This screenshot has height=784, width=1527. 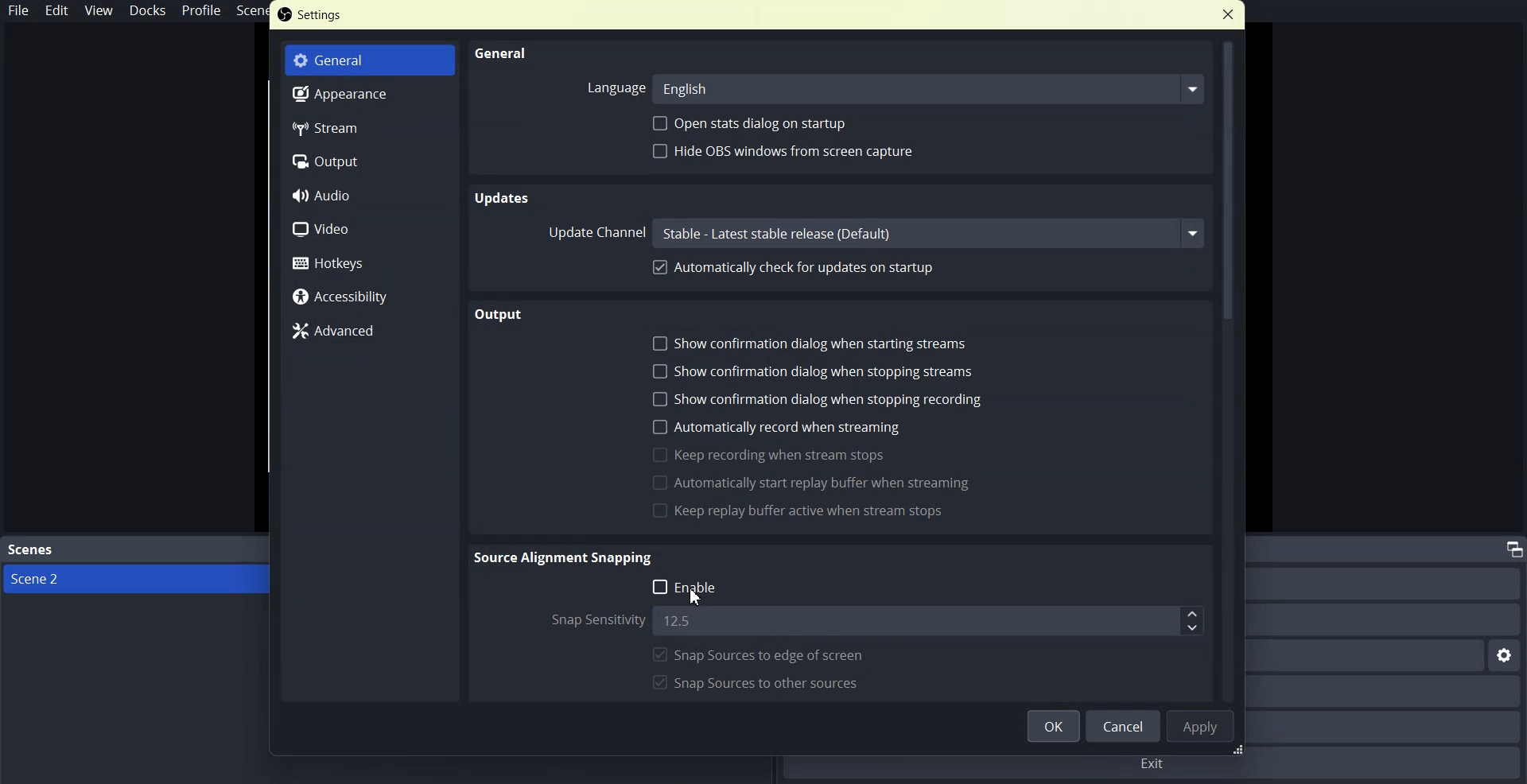 I want to click on Hotkeys, so click(x=370, y=260).